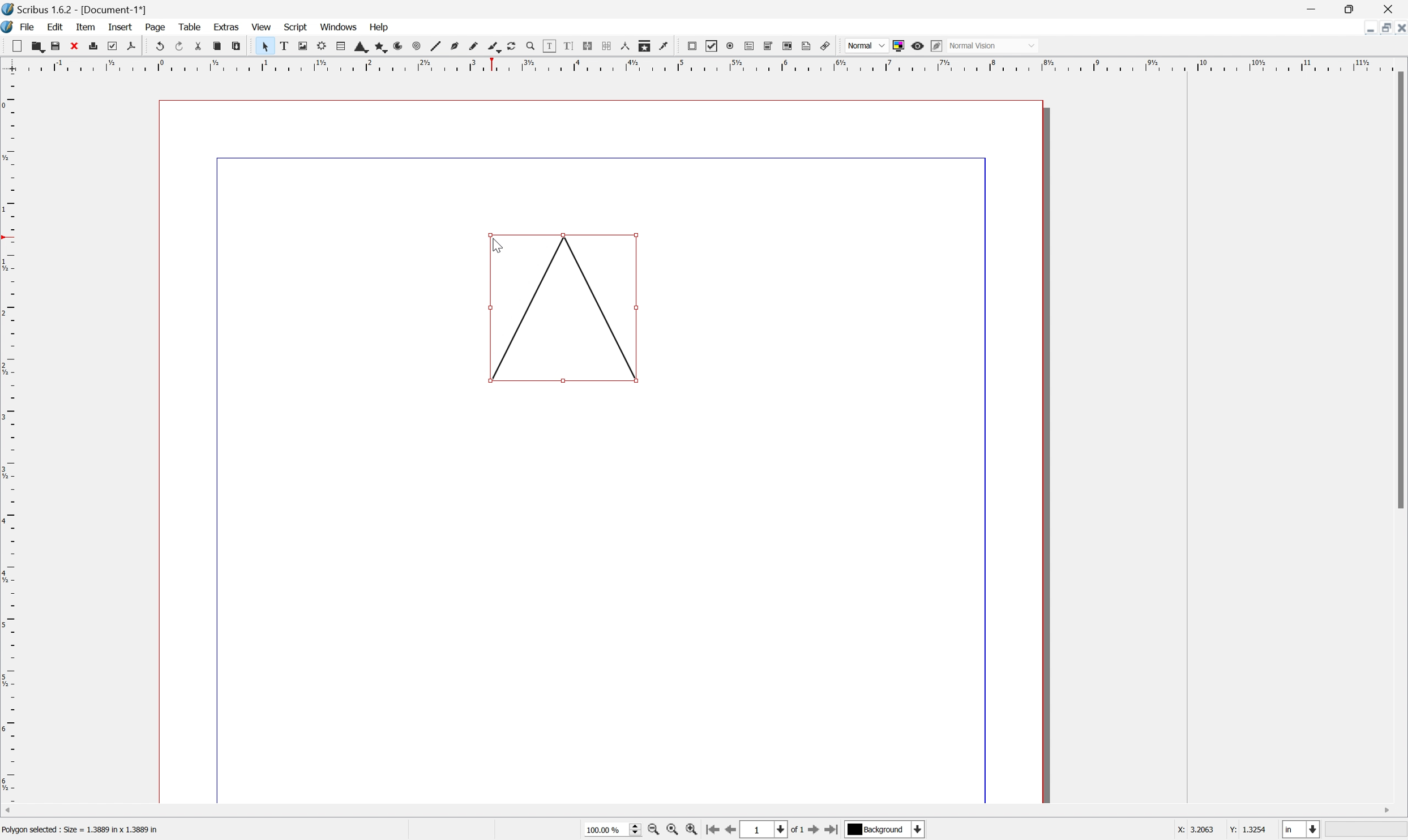  Describe the element at coordinates (155, 27) in the screenshot. I see `Page` at that location.